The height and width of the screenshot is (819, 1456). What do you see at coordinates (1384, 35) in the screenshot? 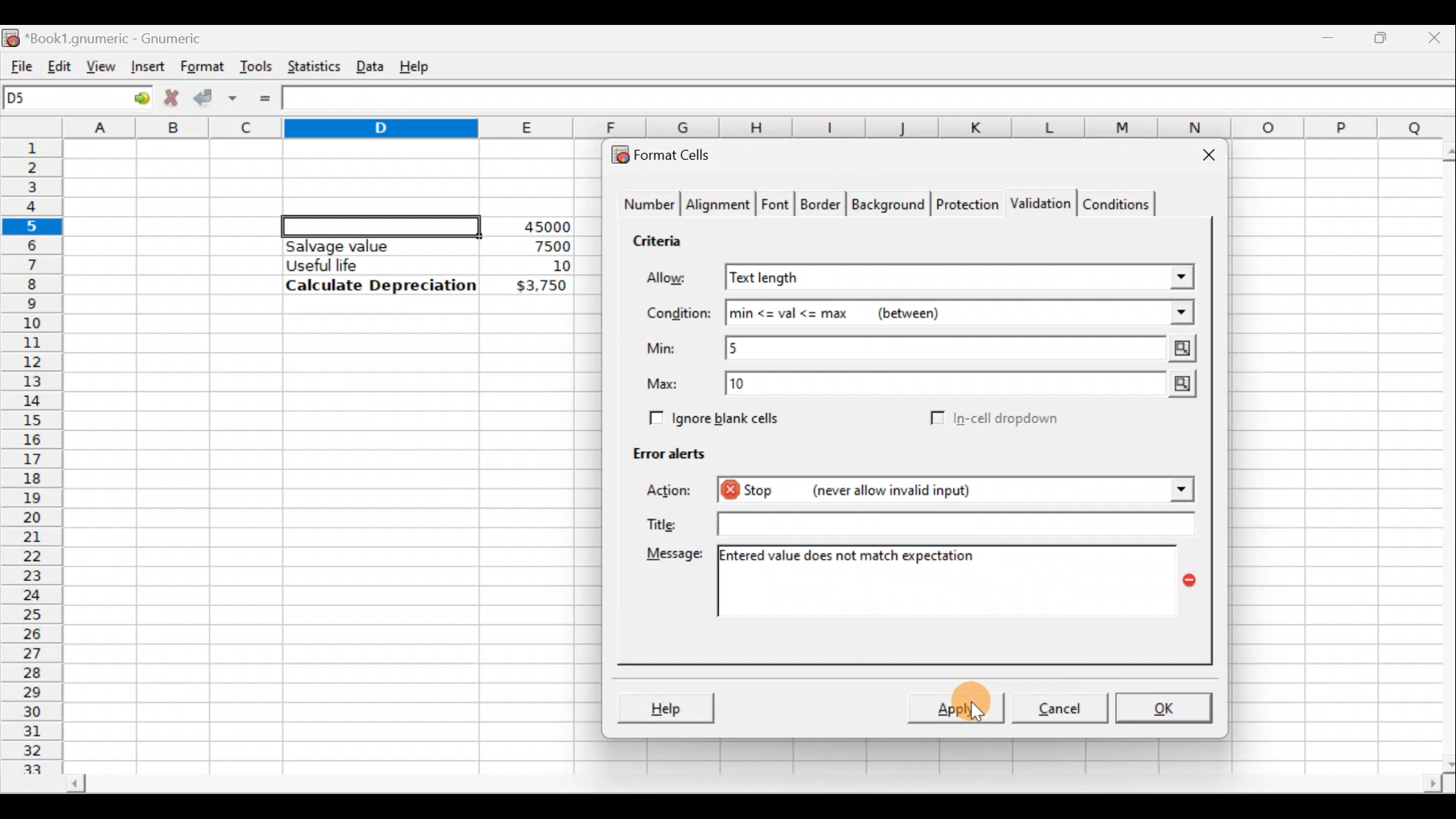
I see `Maximize` at bounding box center [1384, 35].